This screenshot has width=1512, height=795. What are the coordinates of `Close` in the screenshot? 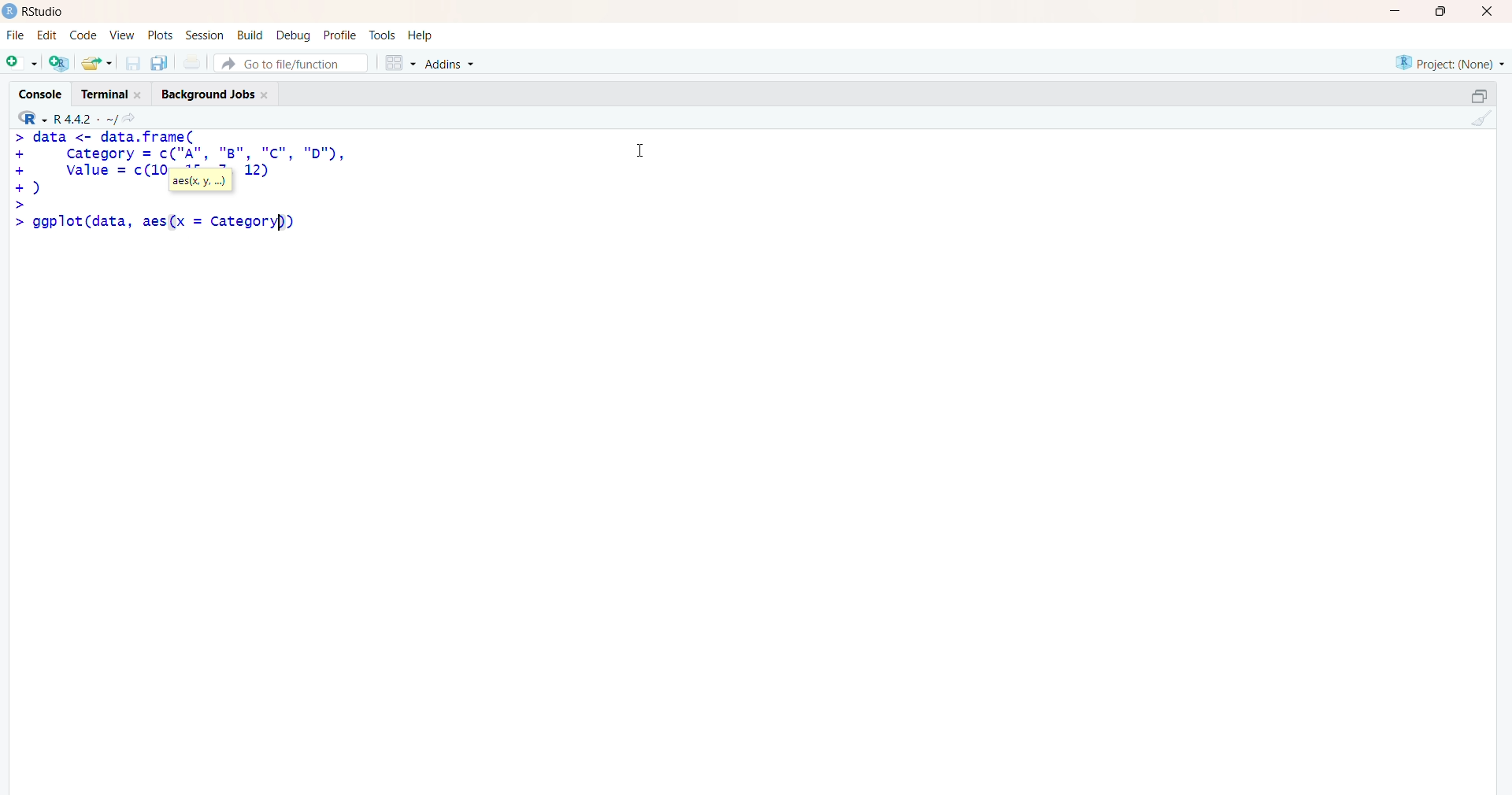 It's located at (1484, 11).